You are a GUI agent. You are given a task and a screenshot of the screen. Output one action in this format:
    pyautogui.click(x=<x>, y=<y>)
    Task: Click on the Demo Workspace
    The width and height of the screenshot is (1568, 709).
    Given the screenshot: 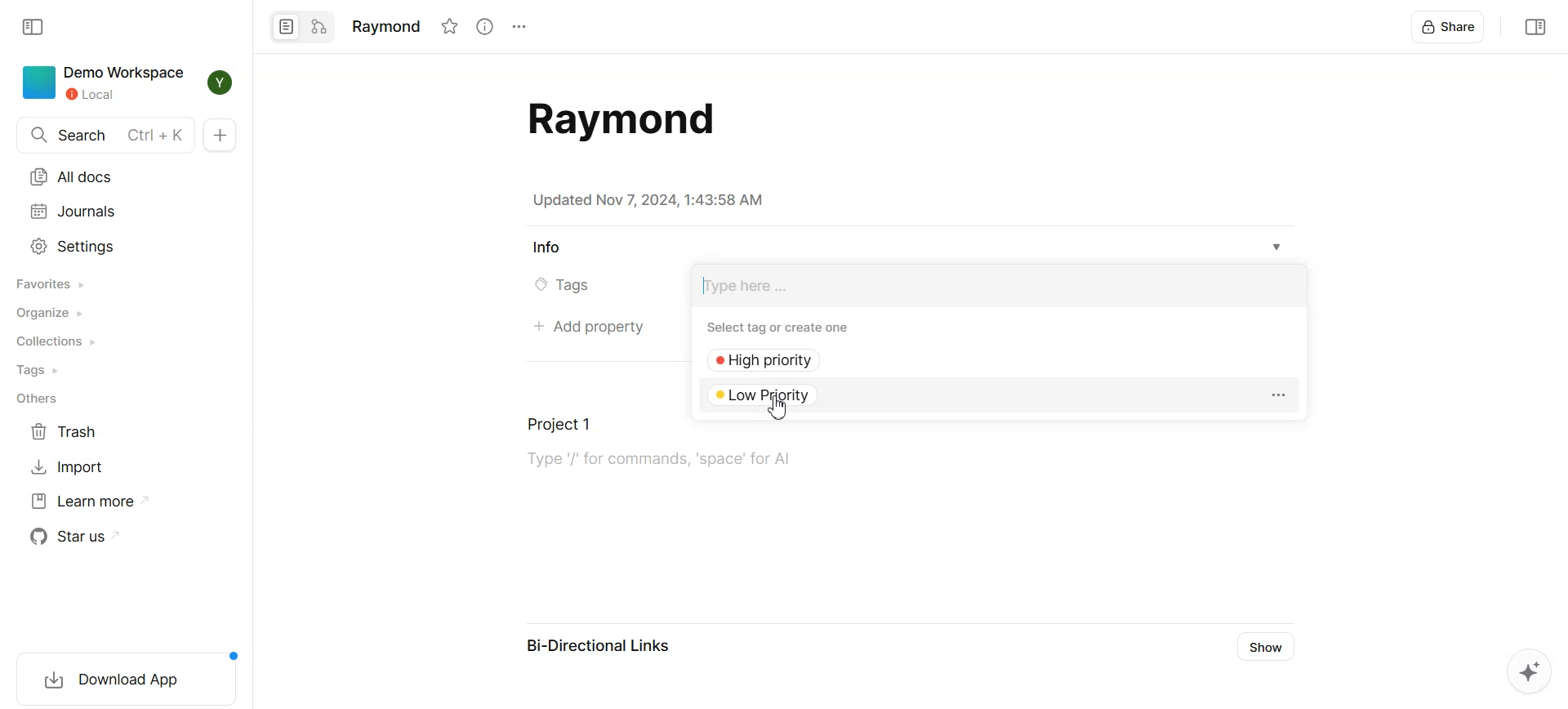 What is the action you would take?
    pyautogui.click(x=105, y=83)
    